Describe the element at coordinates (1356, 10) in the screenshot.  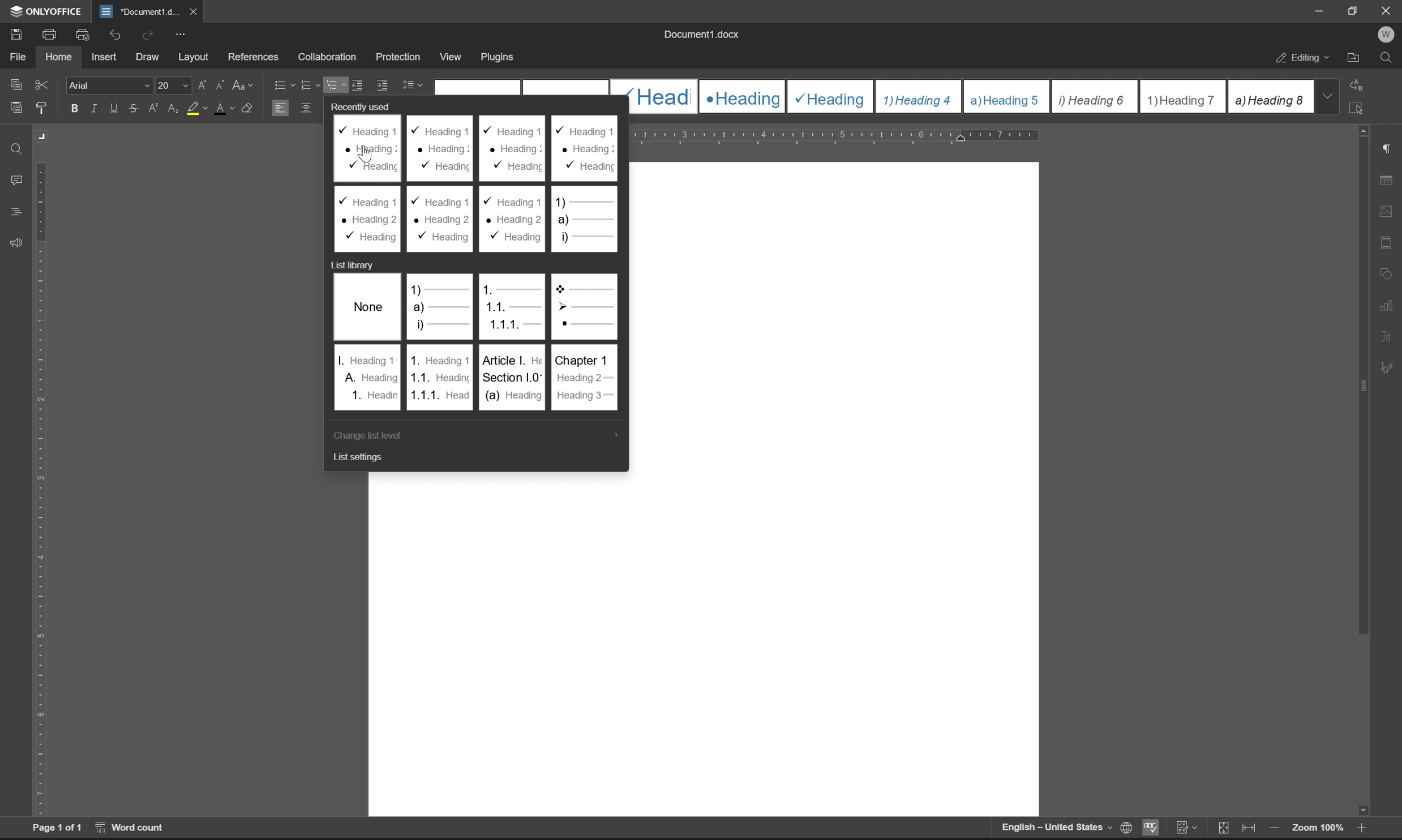
I see `restore down` at that location.